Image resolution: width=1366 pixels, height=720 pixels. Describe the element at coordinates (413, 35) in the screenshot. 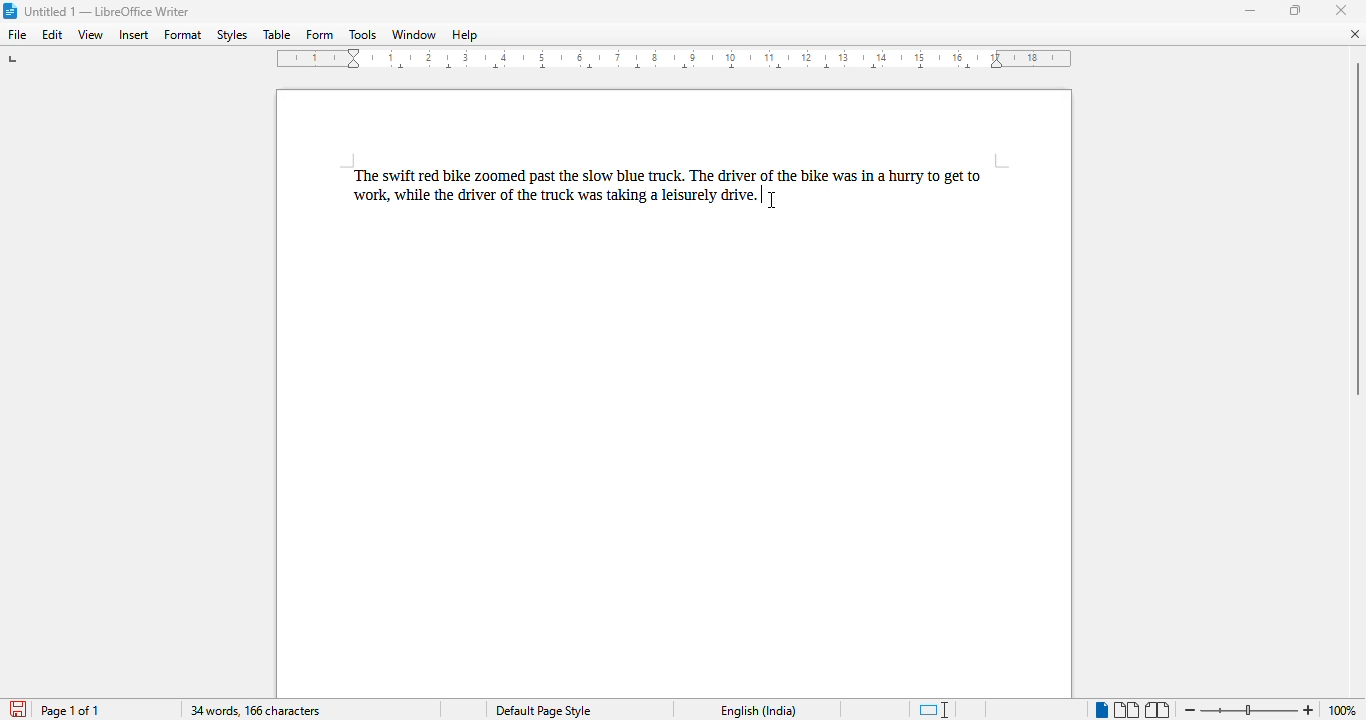

I see `window` at that location.